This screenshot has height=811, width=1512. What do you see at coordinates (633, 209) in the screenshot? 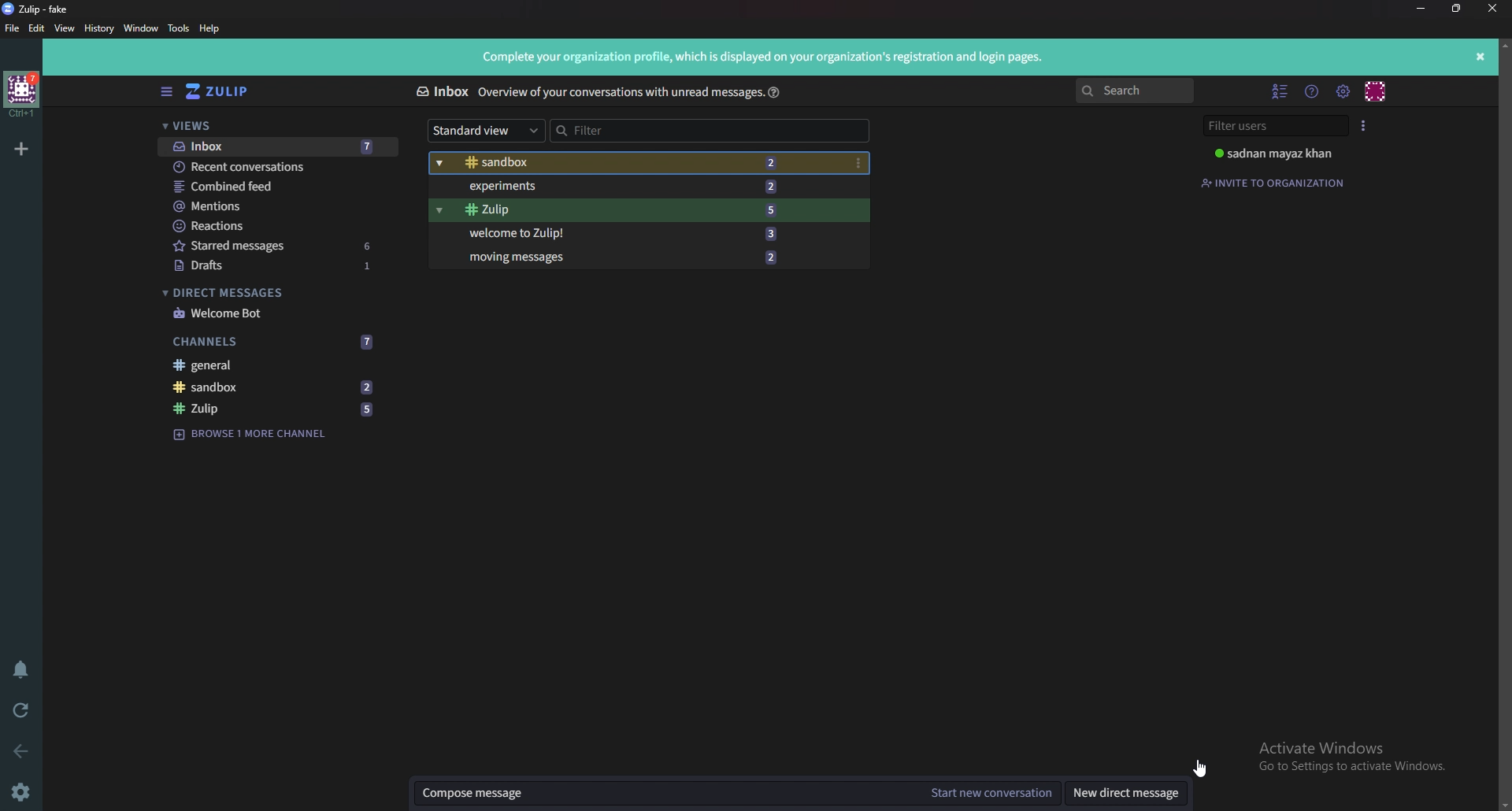
I see `zulip` at bounding box center [633, 209].